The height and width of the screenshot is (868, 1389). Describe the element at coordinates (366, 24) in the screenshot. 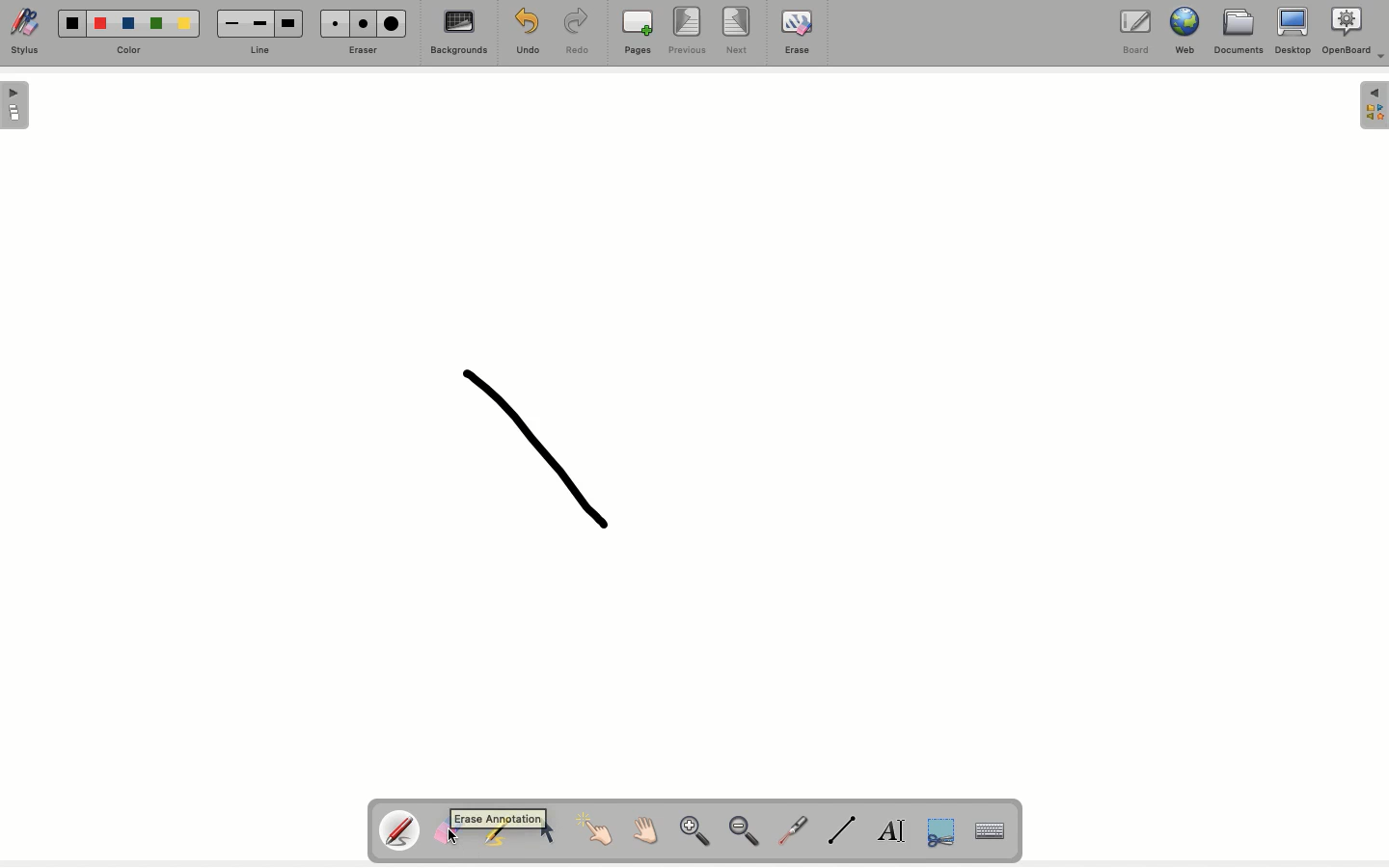

I see `Medium` at that location.